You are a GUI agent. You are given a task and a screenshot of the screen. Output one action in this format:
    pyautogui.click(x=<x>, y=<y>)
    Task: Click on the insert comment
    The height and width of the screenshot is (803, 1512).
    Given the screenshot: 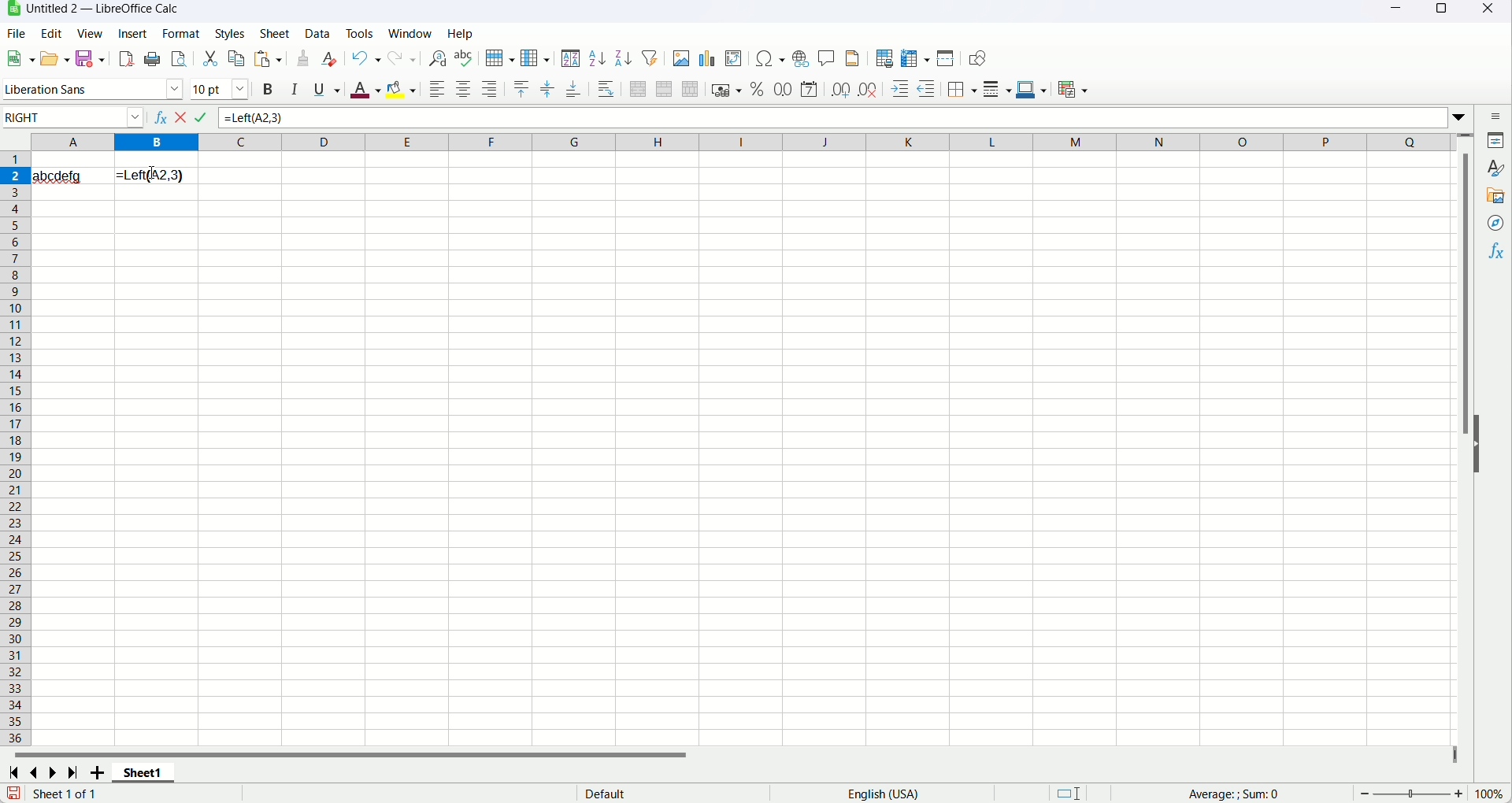 What is the action you would take?
    pyautogui.click(x=828, y=57)
    